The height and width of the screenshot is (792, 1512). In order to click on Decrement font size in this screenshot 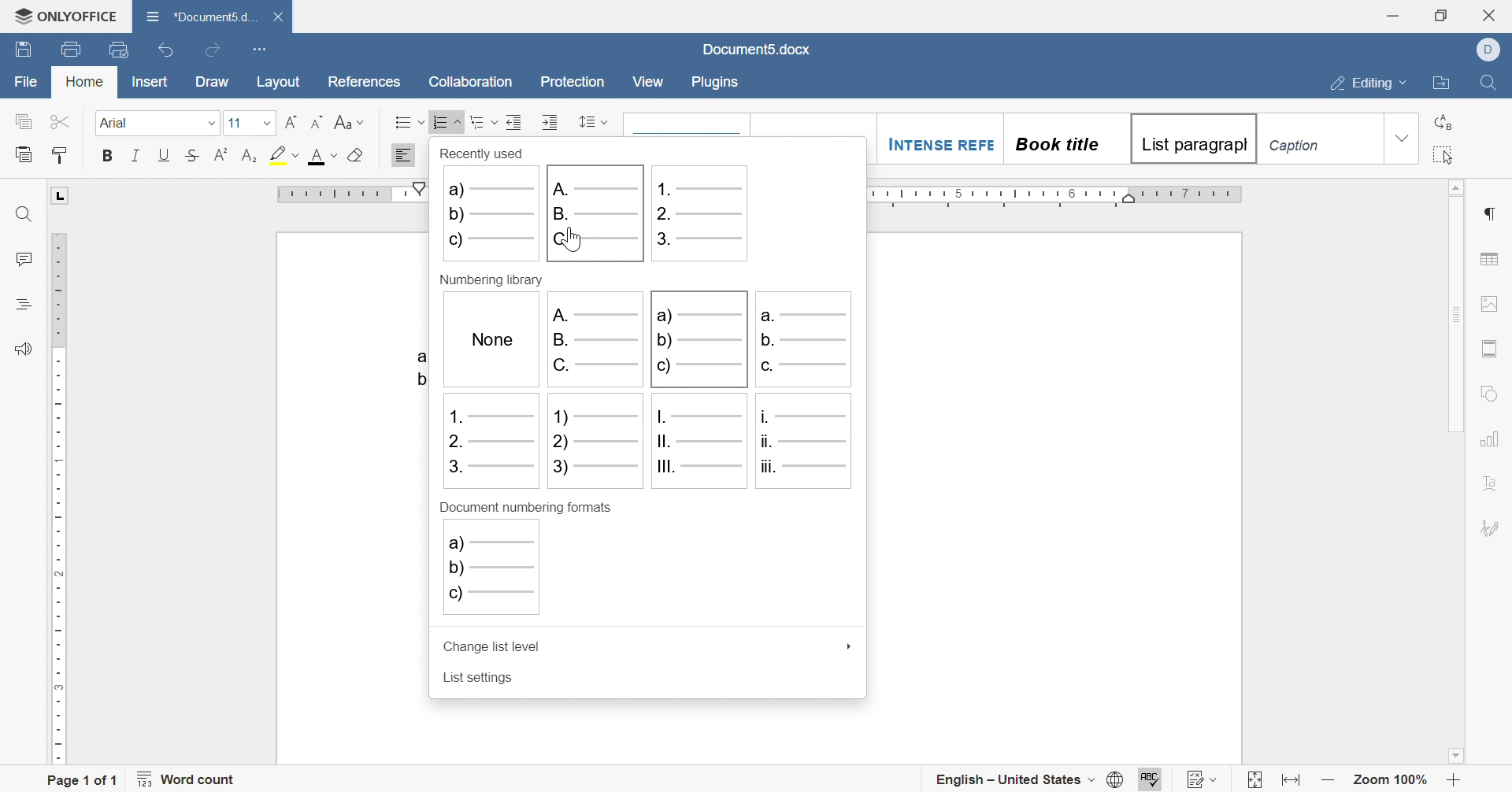, I will do `click(317, 122)`.